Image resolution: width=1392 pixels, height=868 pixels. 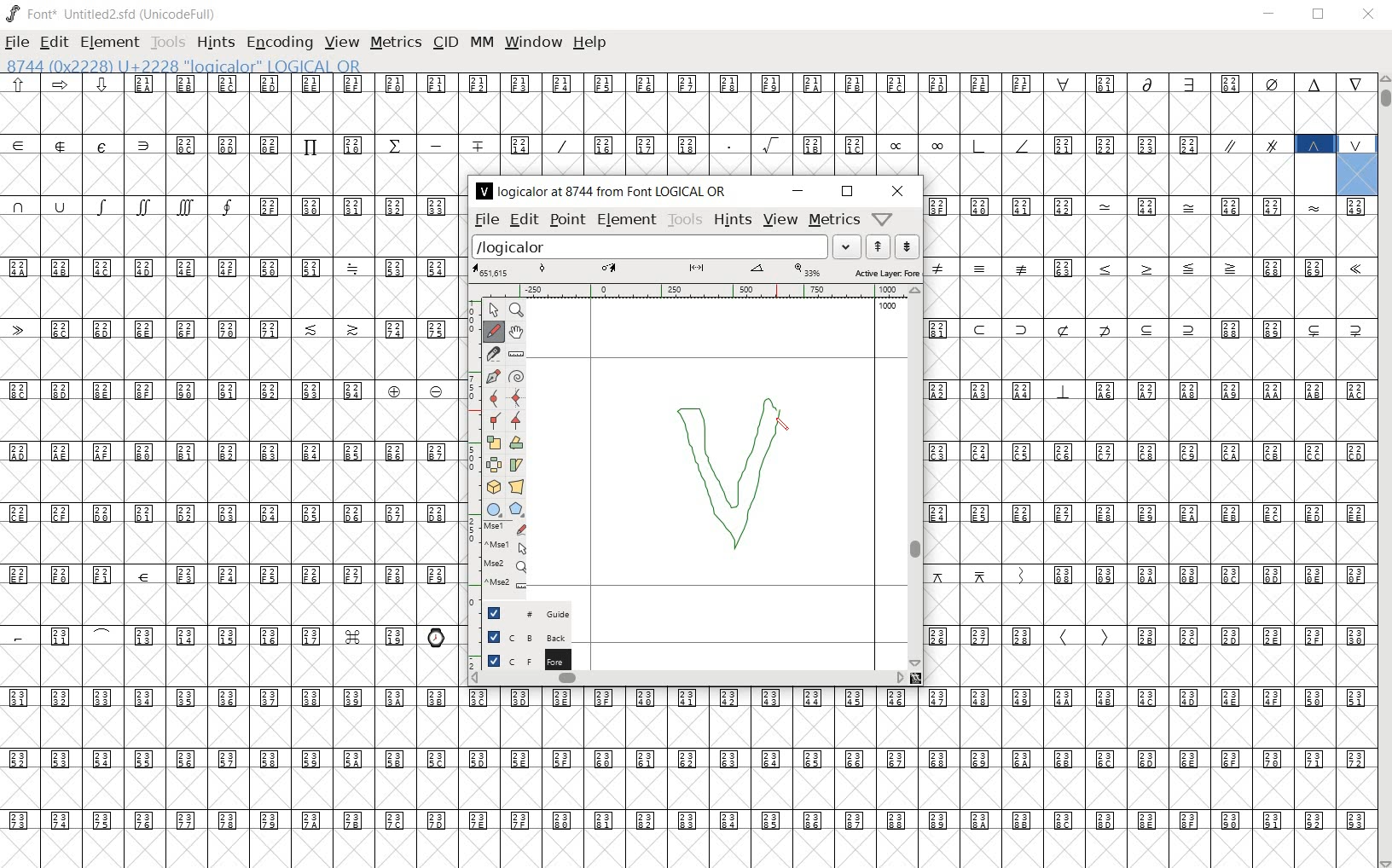 What do you see at coordinates (190, 65) in the screenshot?
I see `8744 (0x2228) U+2228 "logicalor" LOGICAL OR` at bounding box center [190, 65].